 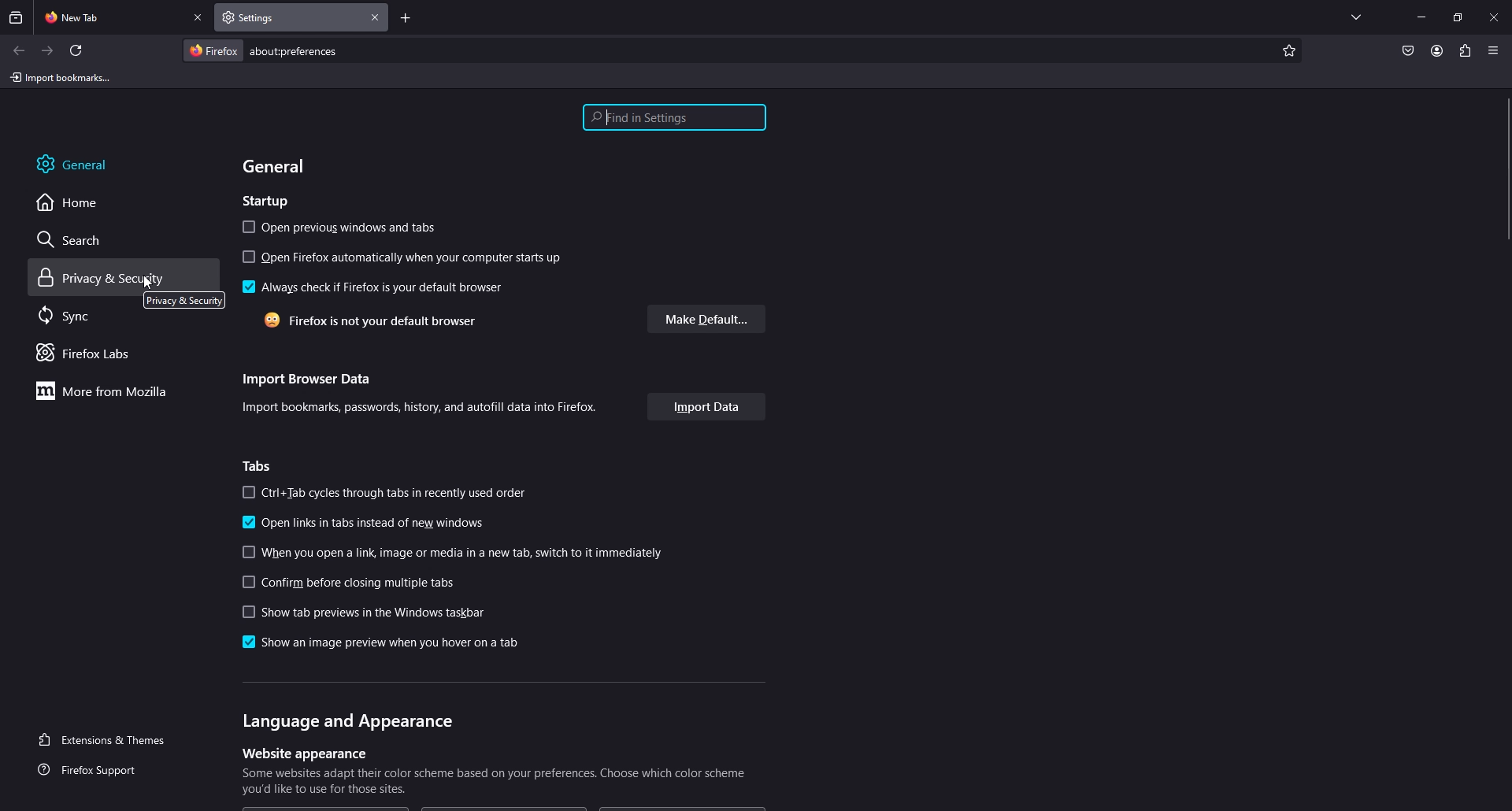 I want to click on profile, so click(x=1436, y=50).